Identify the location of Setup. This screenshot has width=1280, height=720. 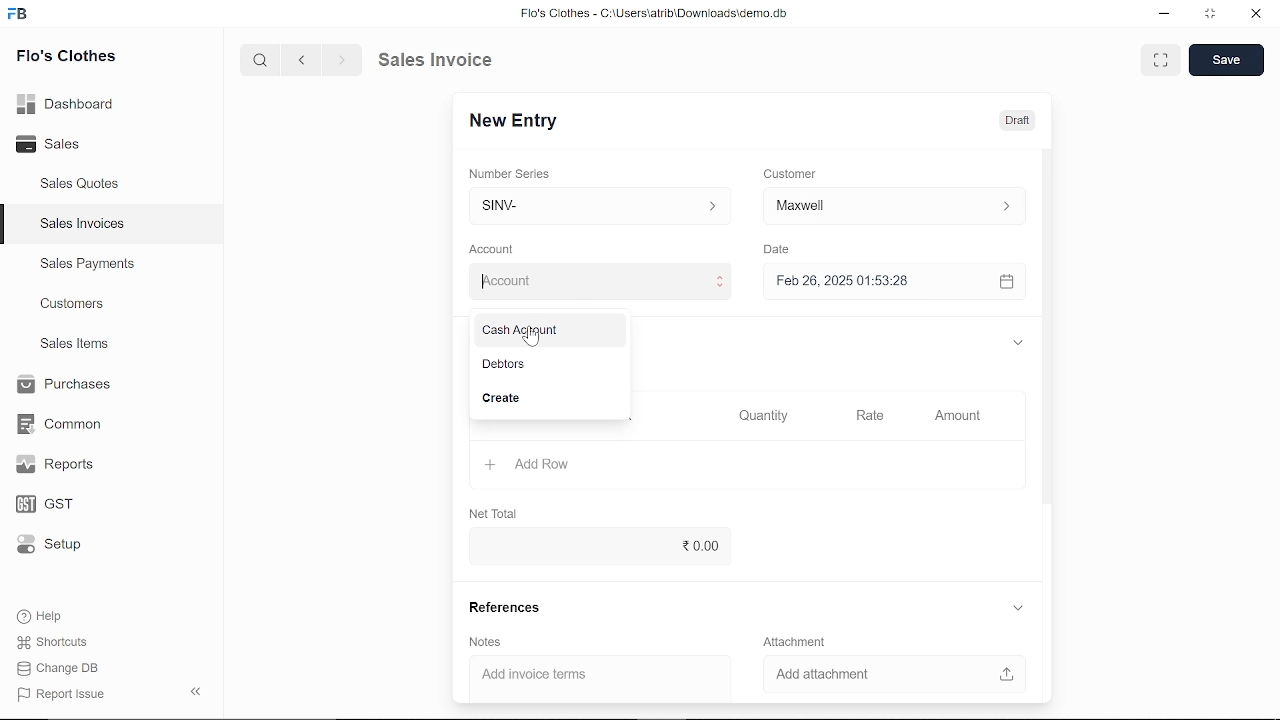
(63, 546).